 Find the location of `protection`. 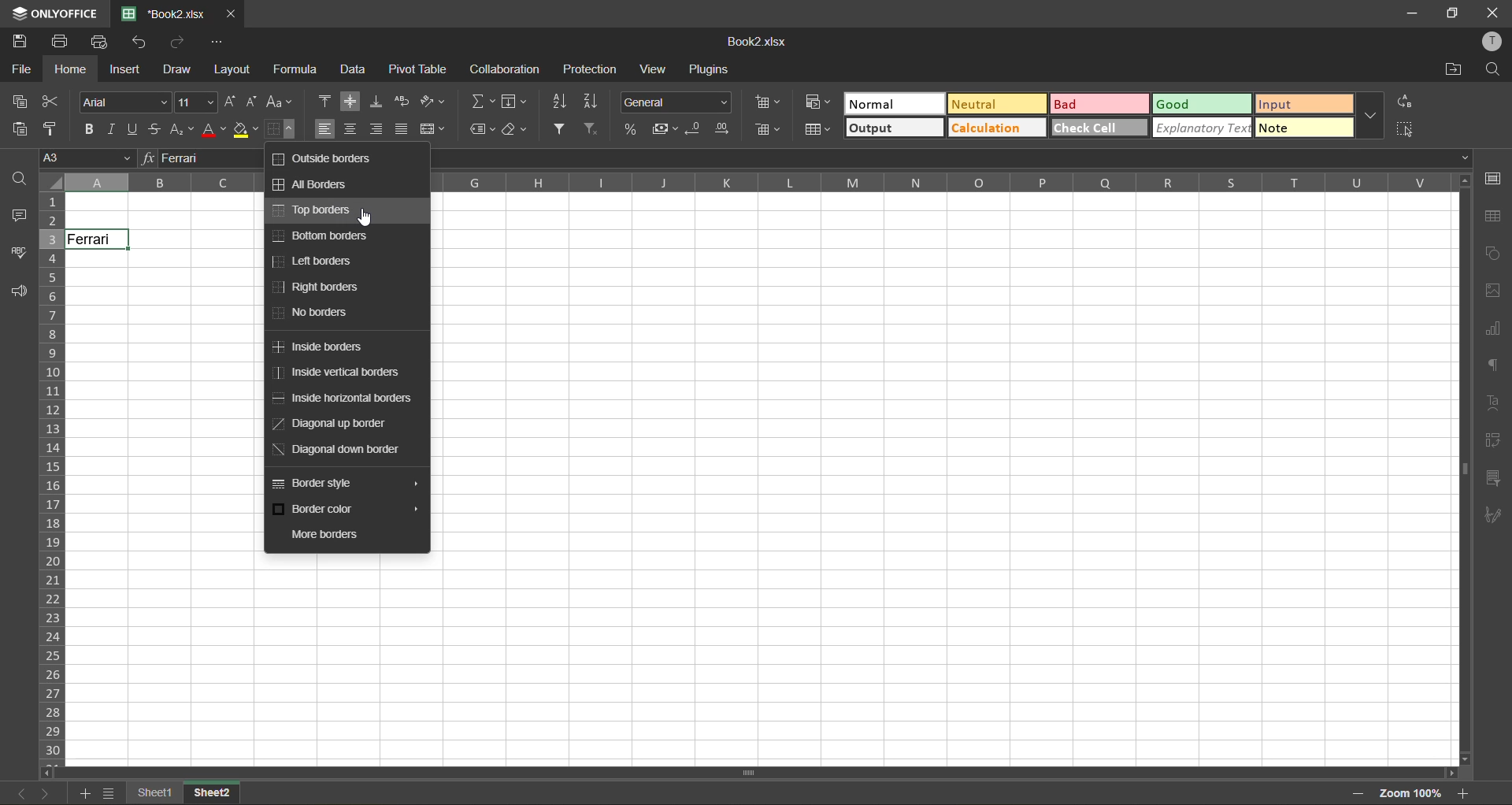

protection is located at coordinates (591, 69).